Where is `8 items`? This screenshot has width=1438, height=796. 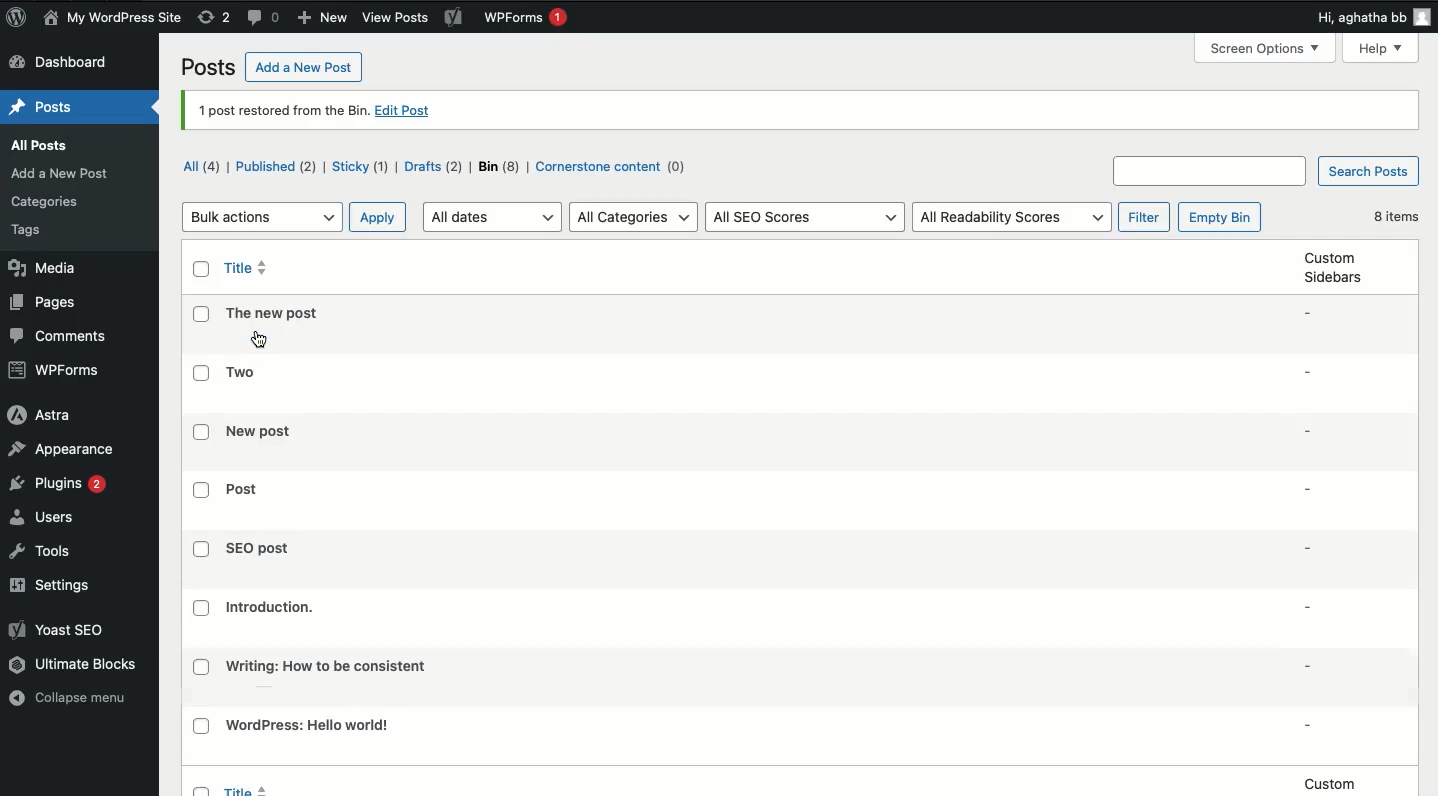
8 items is located at coordinates (1398, 217).